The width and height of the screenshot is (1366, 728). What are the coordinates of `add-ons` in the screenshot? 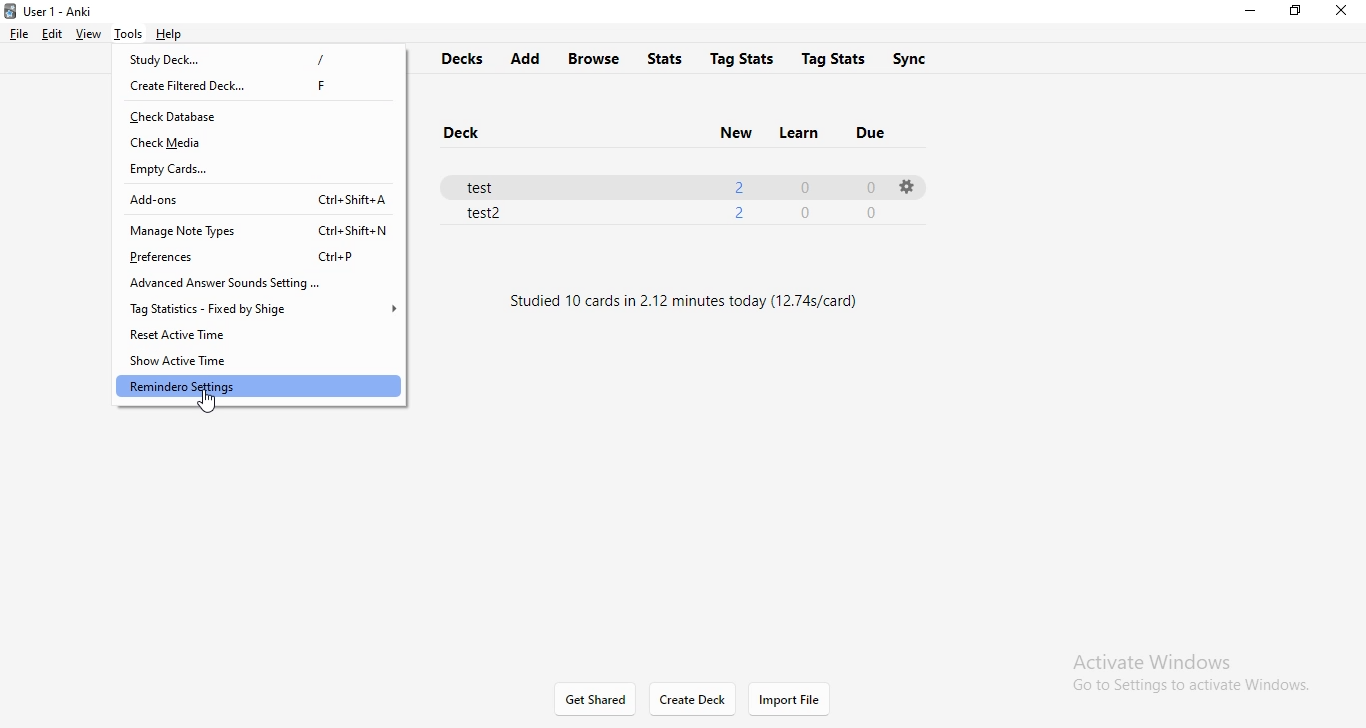 It's located at (264, 201).